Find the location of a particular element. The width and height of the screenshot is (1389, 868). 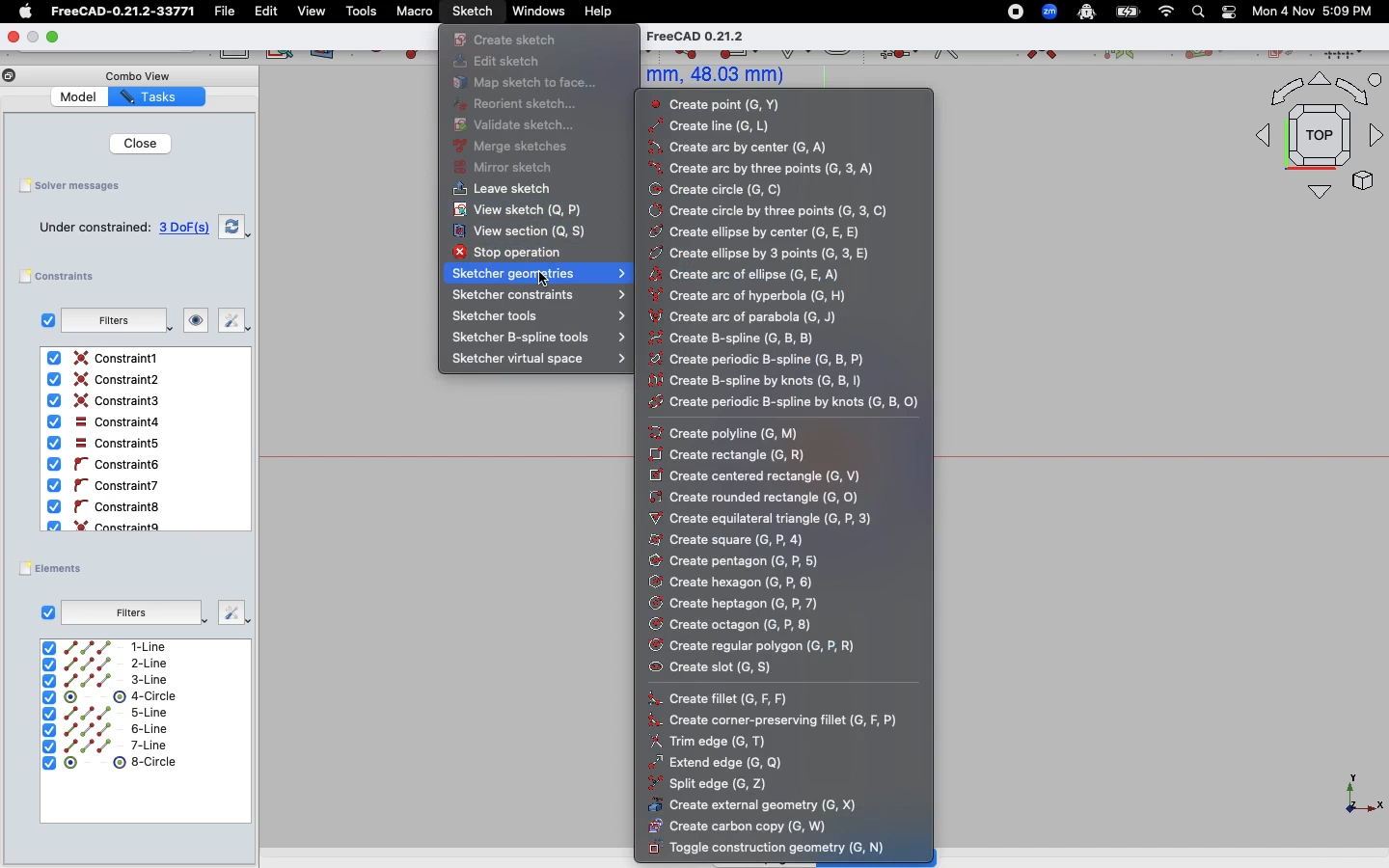

Constraint6 is located at coordinates (108, 485).